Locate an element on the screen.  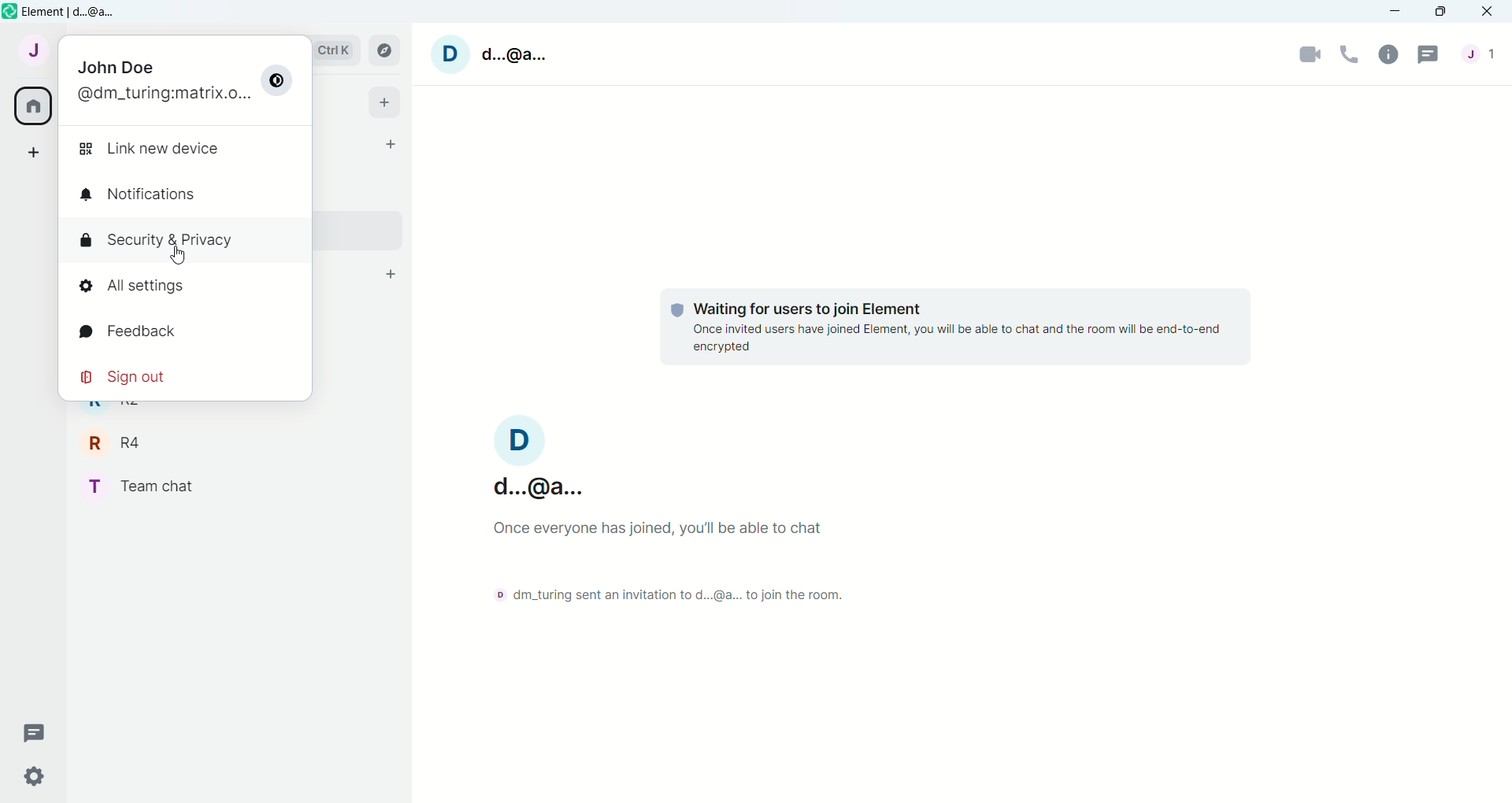
d...@a... is located at coordinates (535, 485).